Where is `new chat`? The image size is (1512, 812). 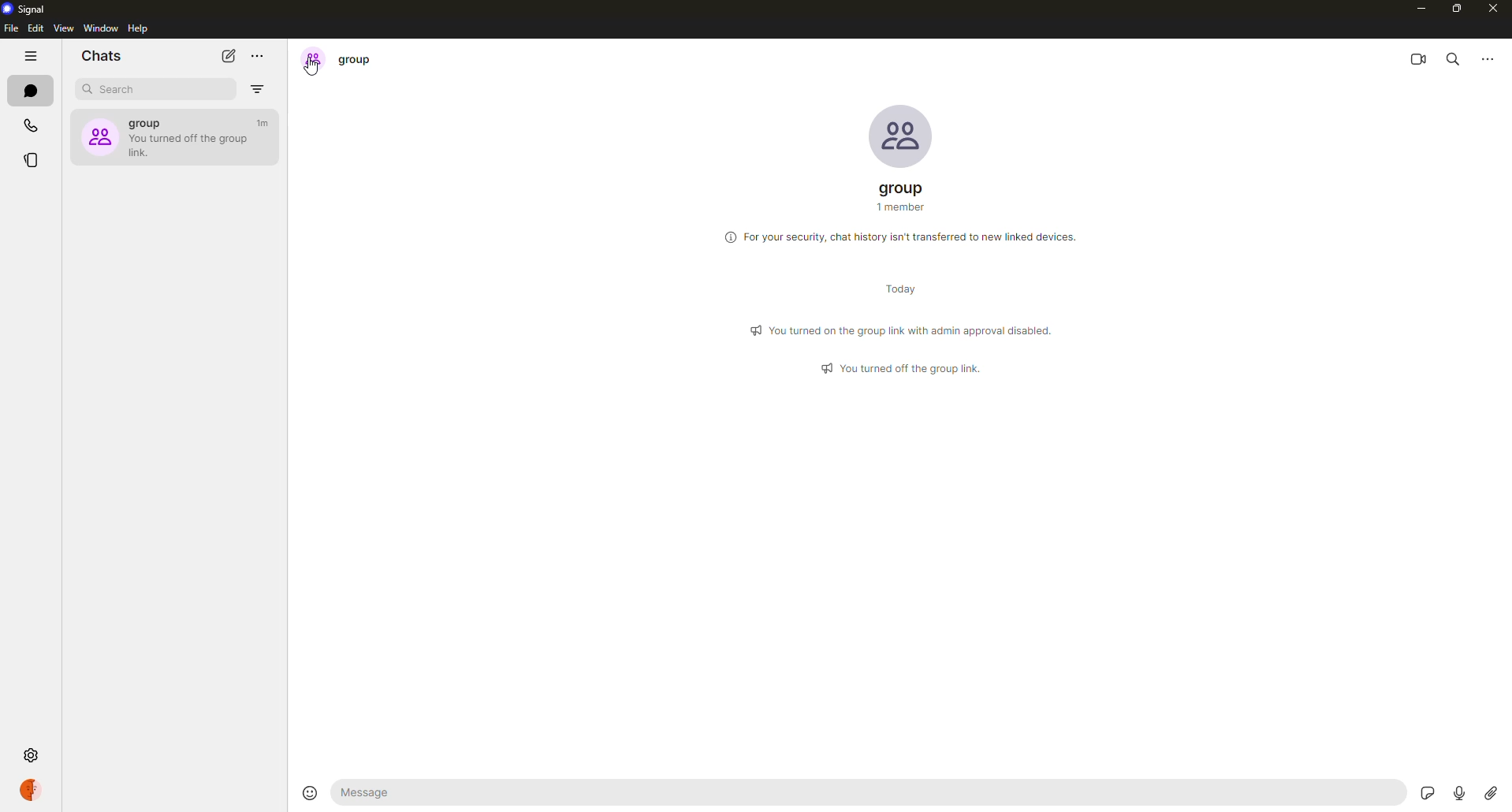
new chat is located at coordinates (229, 56).